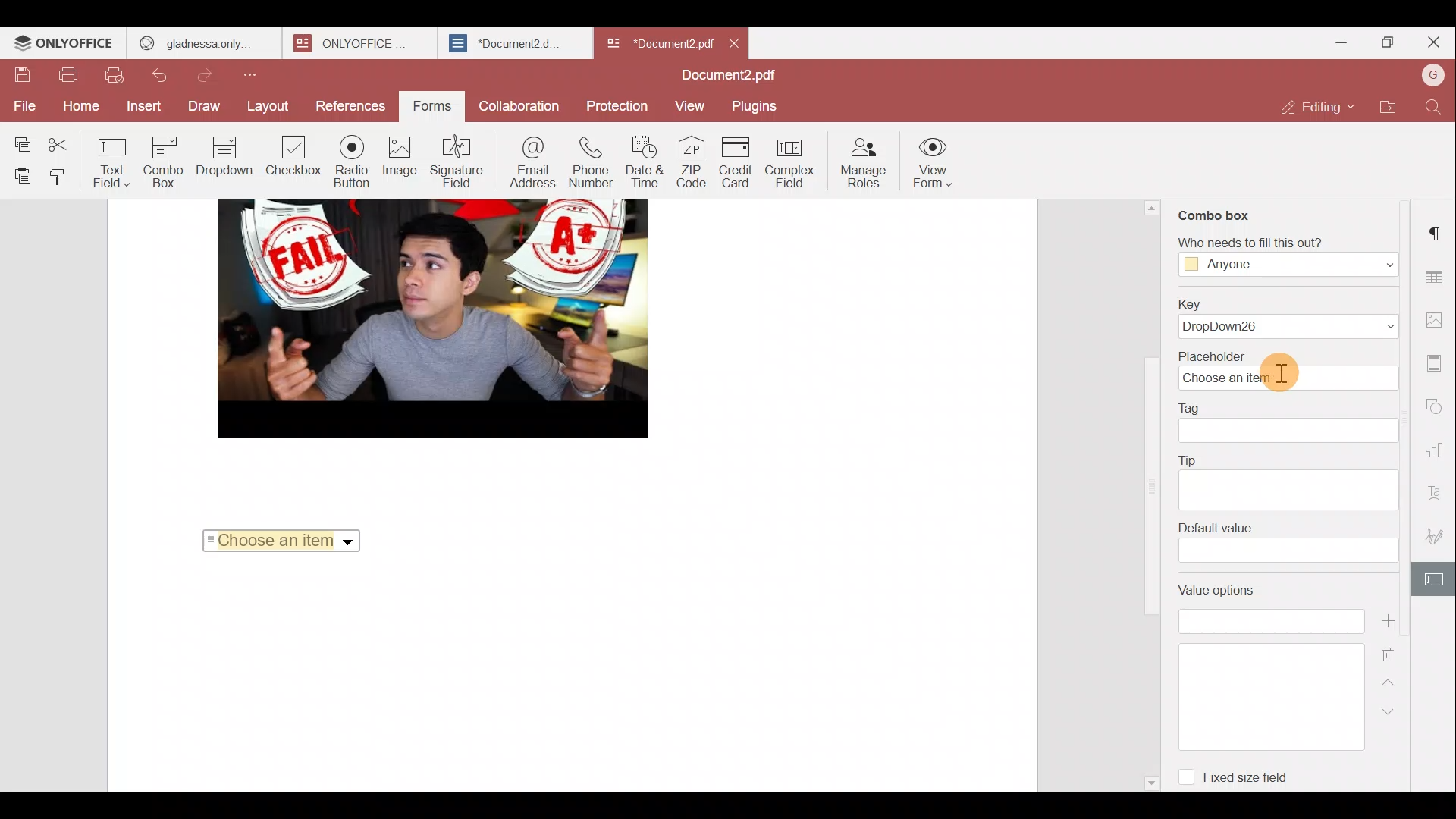  What do you see at coordinates (1391, 655) in the screenshot?
I see `Remove value` at bounding box center [1391, 655].